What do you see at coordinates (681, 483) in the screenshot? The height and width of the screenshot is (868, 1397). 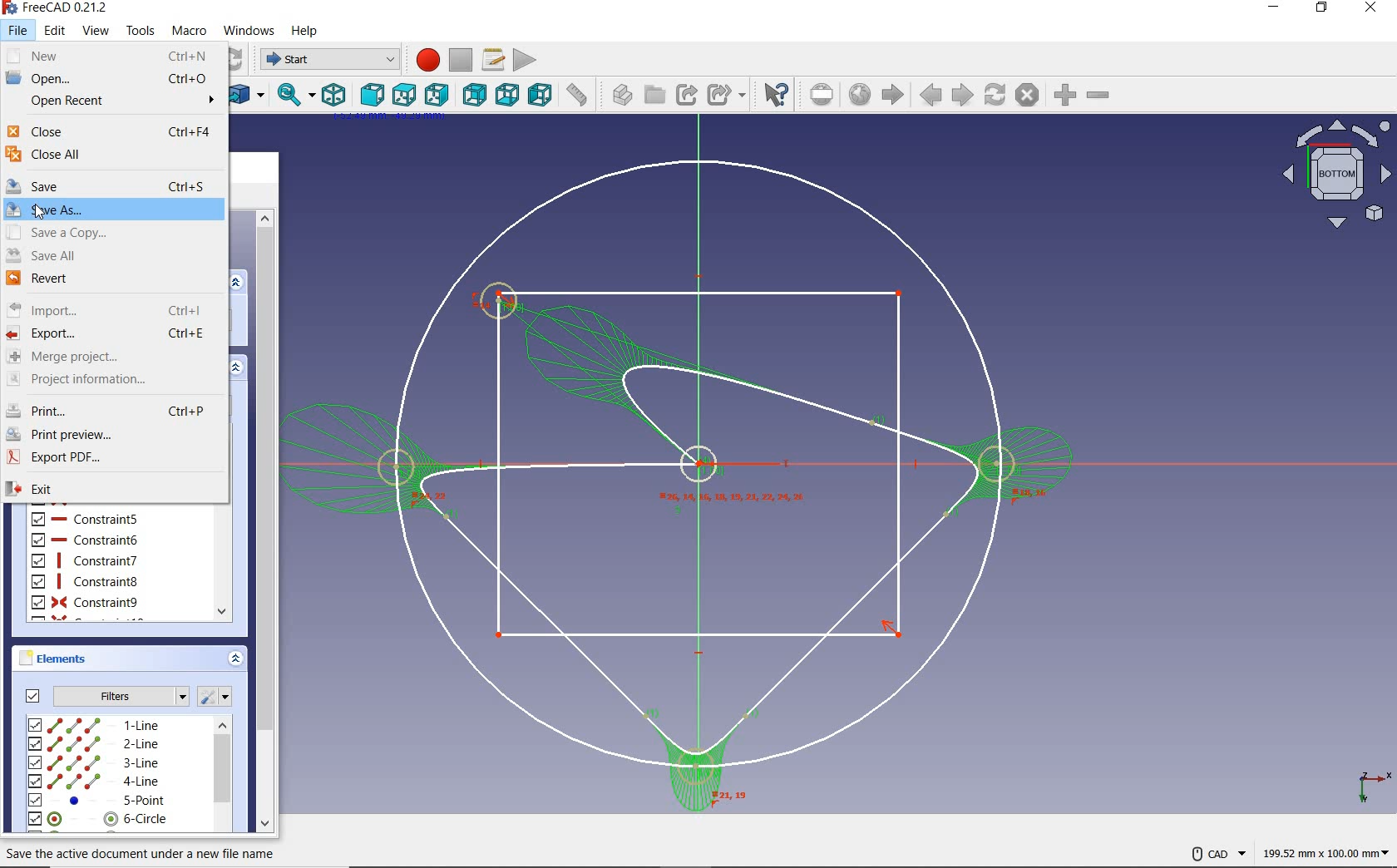 I see `design` at bounding box center [681, 483].